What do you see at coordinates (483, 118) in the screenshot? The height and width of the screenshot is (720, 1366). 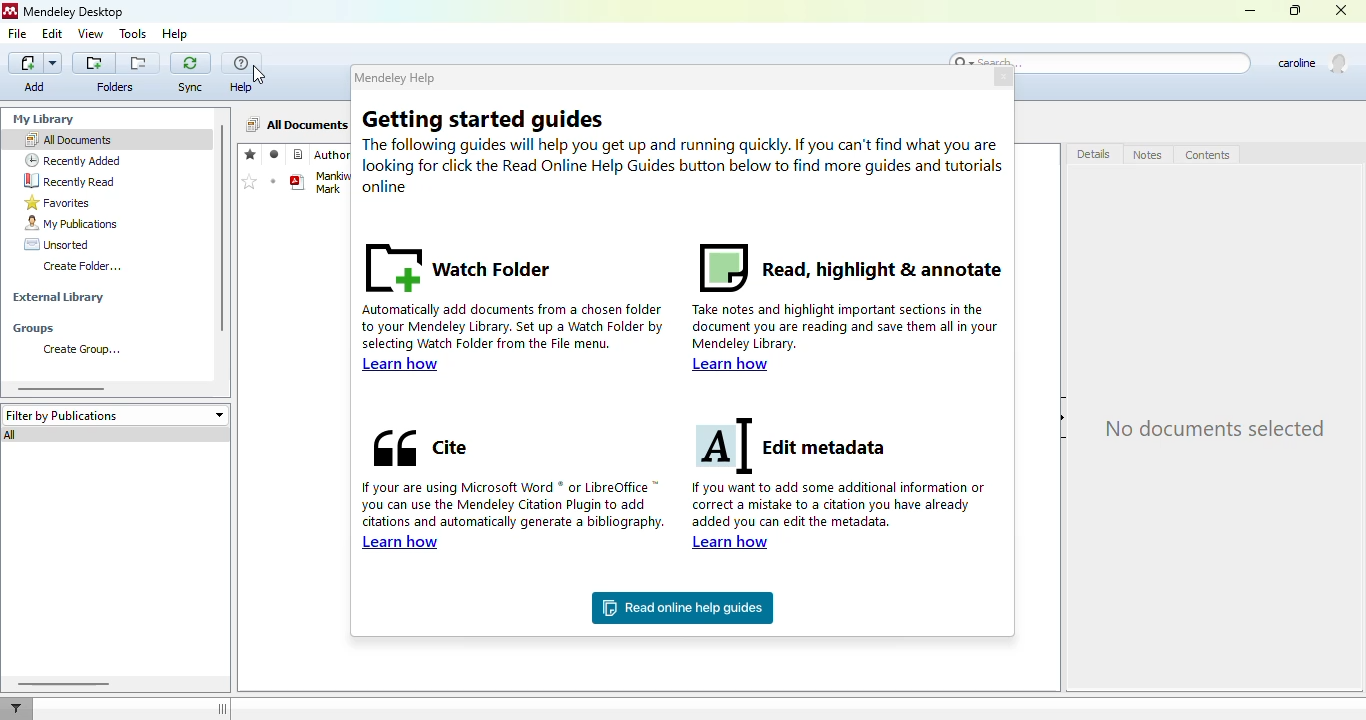 I see `getting started guides` at bounding box center [483, 118].